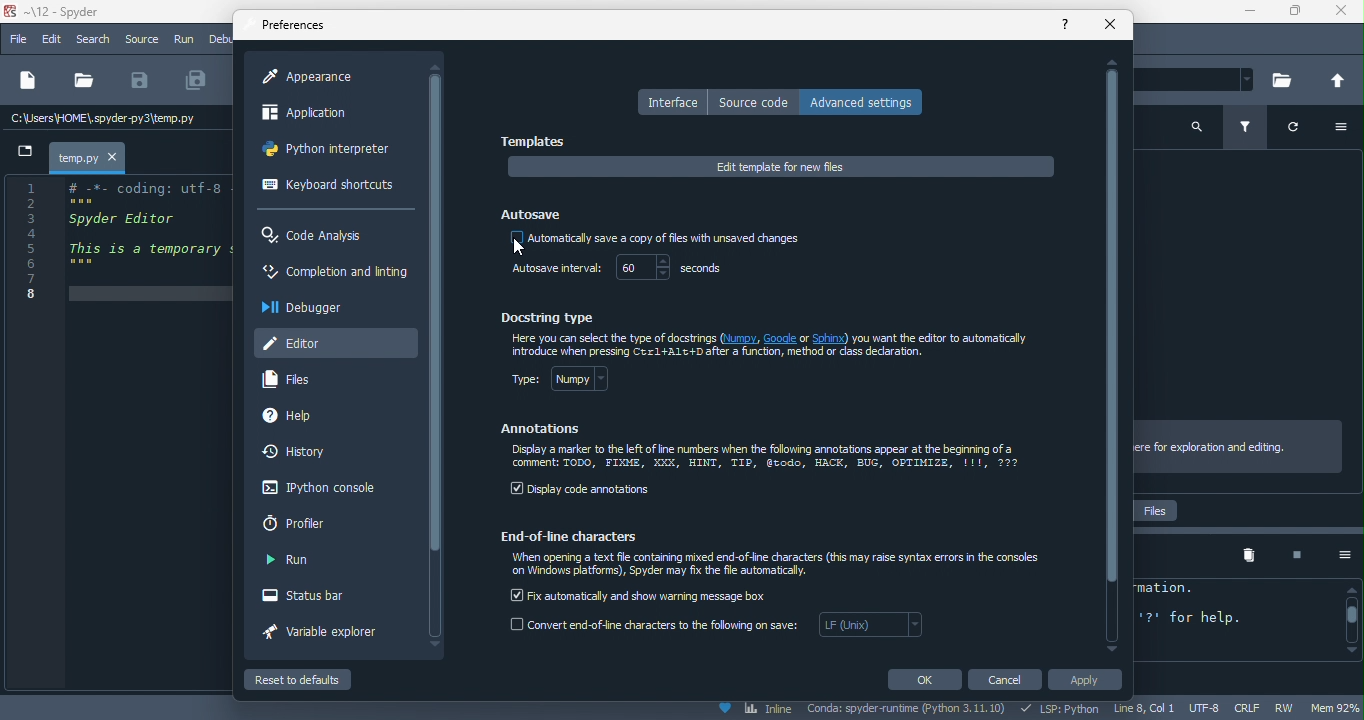 The height and width of the screenshot is (720, 1364). Describe the element at coordinates (83, 81) in the screenshot. I see `open` at that location.